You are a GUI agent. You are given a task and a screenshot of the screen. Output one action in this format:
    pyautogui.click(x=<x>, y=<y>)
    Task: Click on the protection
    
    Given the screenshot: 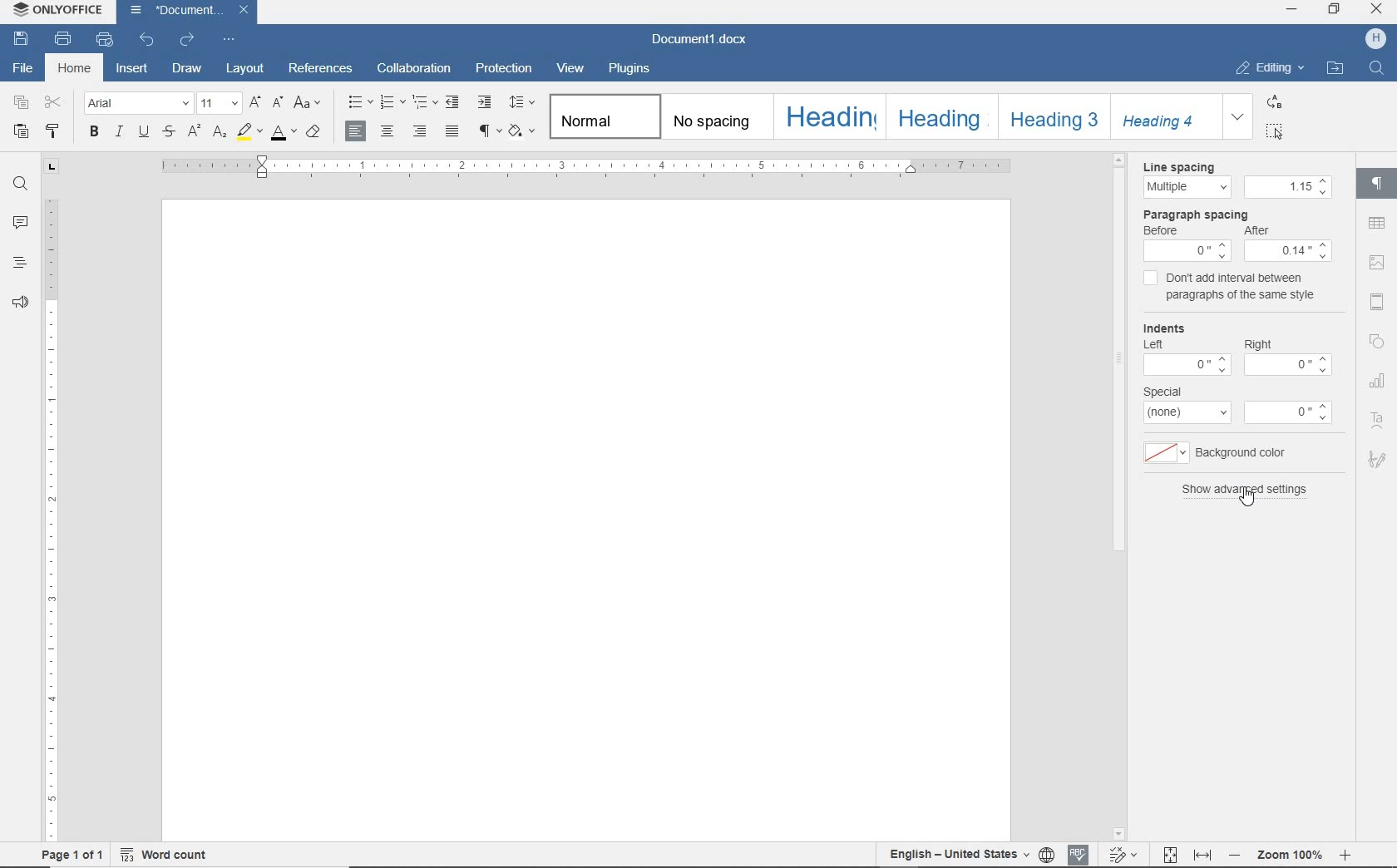 What is the action you would take?
    pyautogui.click(x=504, y=70)
    